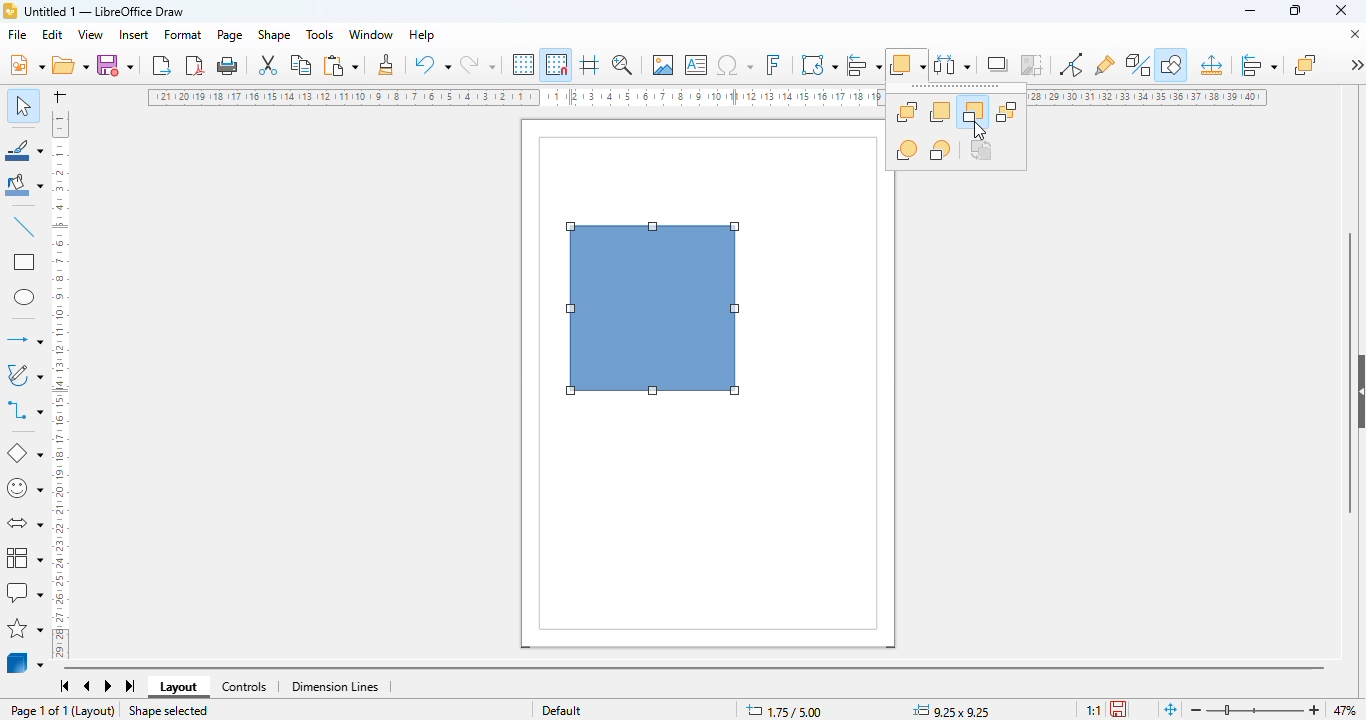 This screenshot has height=720, width=1366. What do you see at coordinates (25, 185) in the screenshot?
I see `fill color` at bounding box center [25, 185].